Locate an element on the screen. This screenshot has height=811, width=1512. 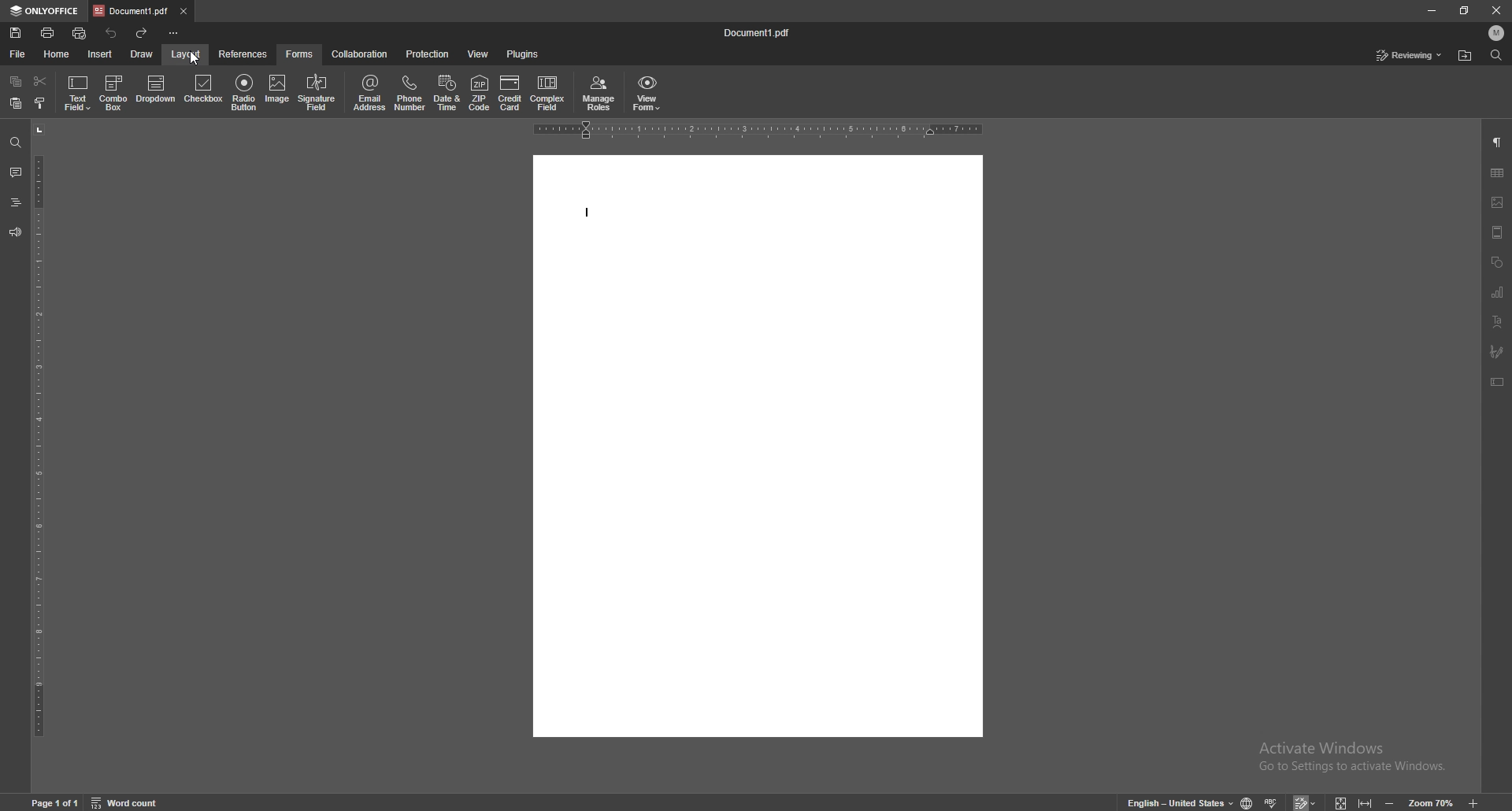
Activate Windows
Go to Settings to activate Windows. is located at coordinates (1355, 763).